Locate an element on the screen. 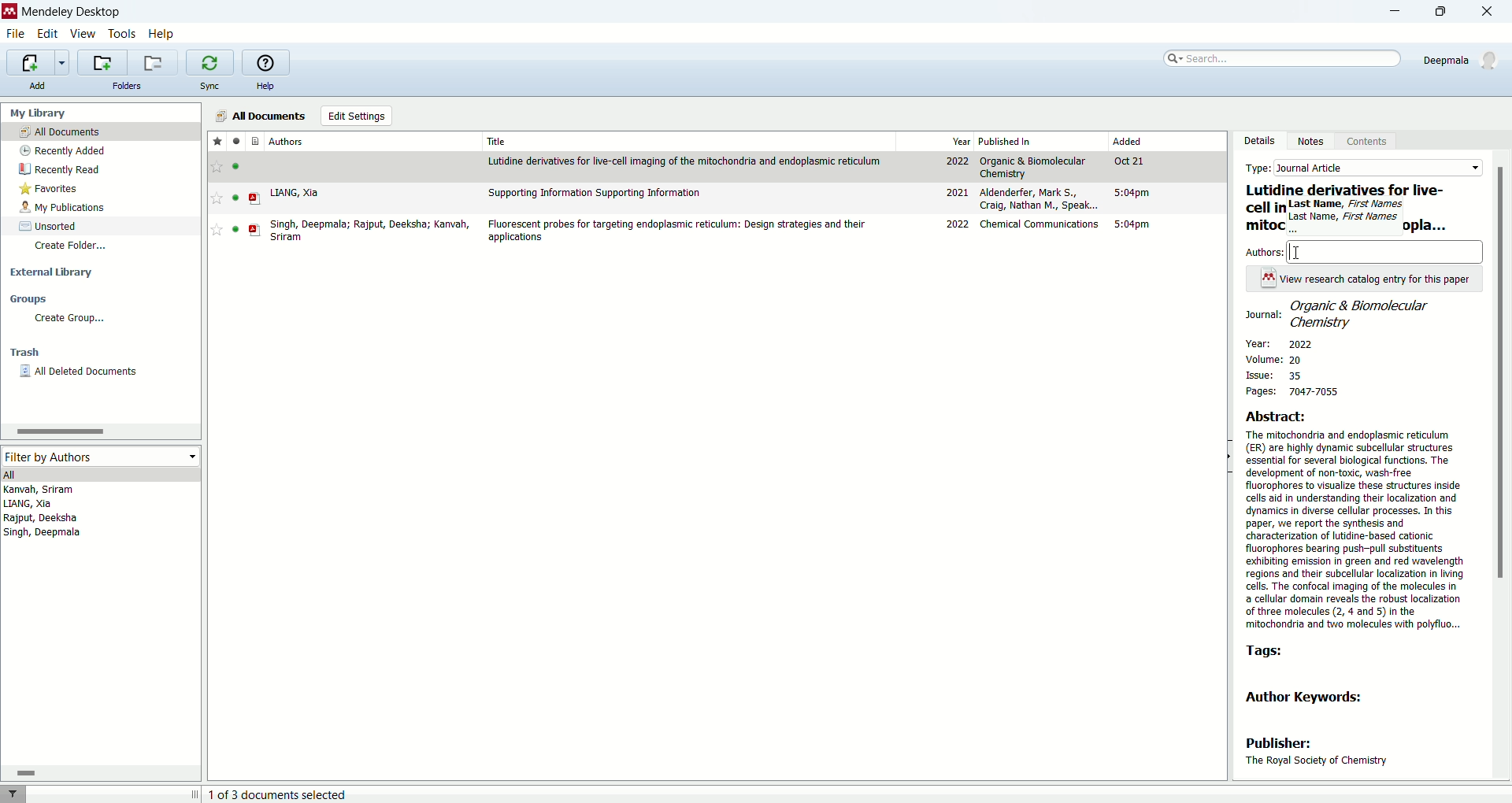 The width and height of the screenshot is (1512, 803). type is located at coordinates (1260, 168).